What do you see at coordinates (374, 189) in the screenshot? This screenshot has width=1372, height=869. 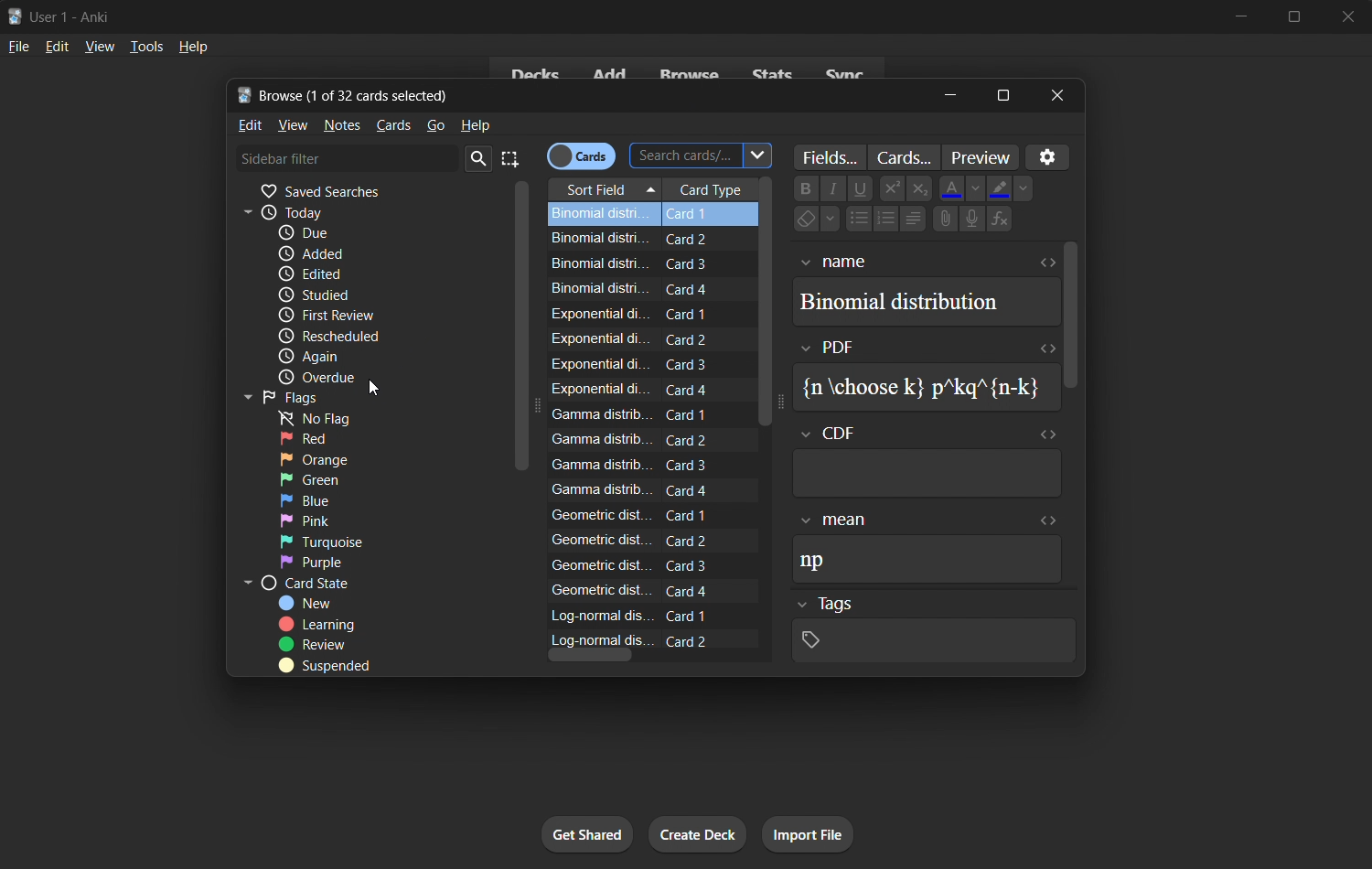 I see `saved searches` at bounding box center [374, 189].